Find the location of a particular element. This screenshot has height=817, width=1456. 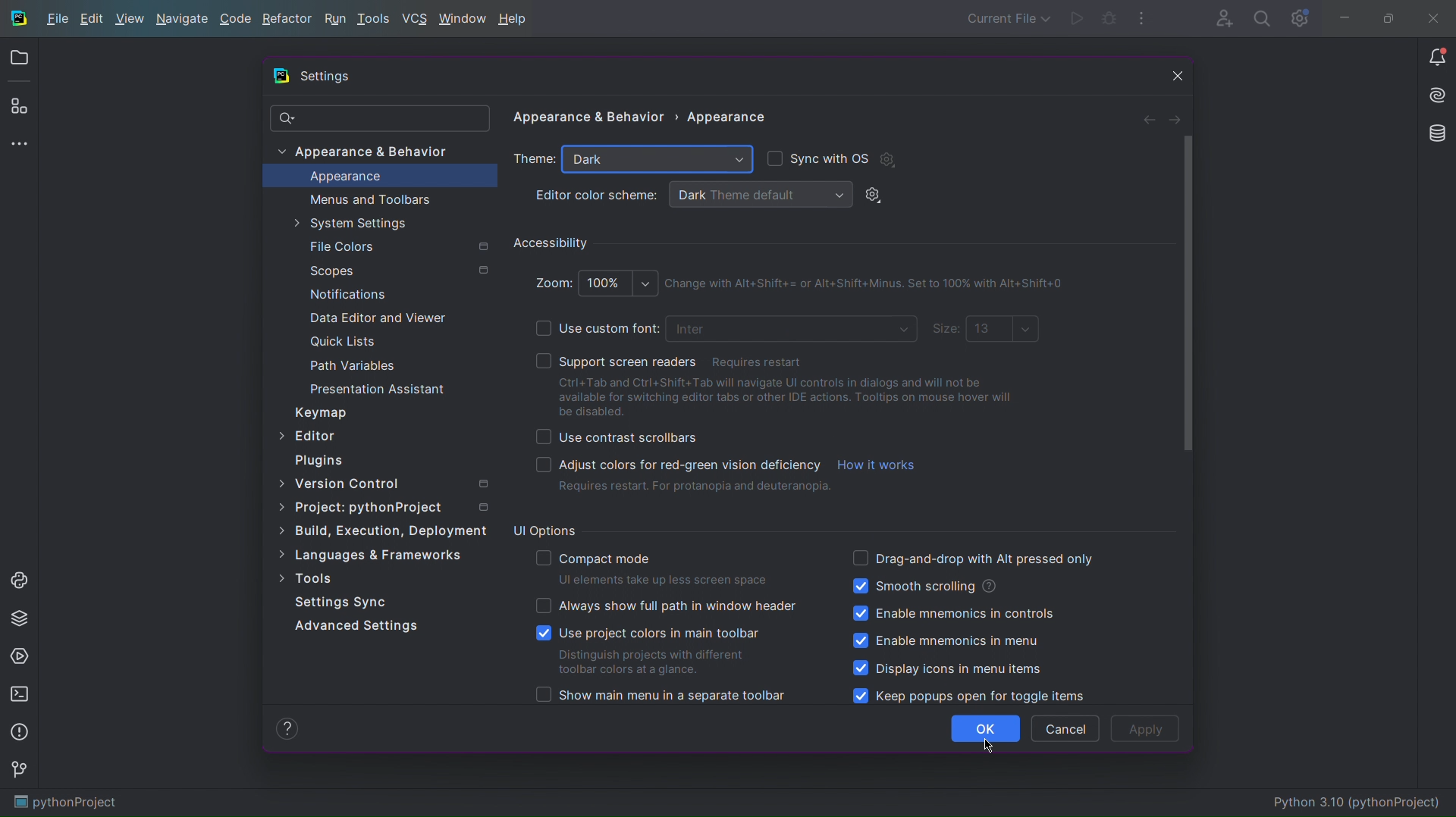

Smooth scrolling is located at coordinates (924, 585).